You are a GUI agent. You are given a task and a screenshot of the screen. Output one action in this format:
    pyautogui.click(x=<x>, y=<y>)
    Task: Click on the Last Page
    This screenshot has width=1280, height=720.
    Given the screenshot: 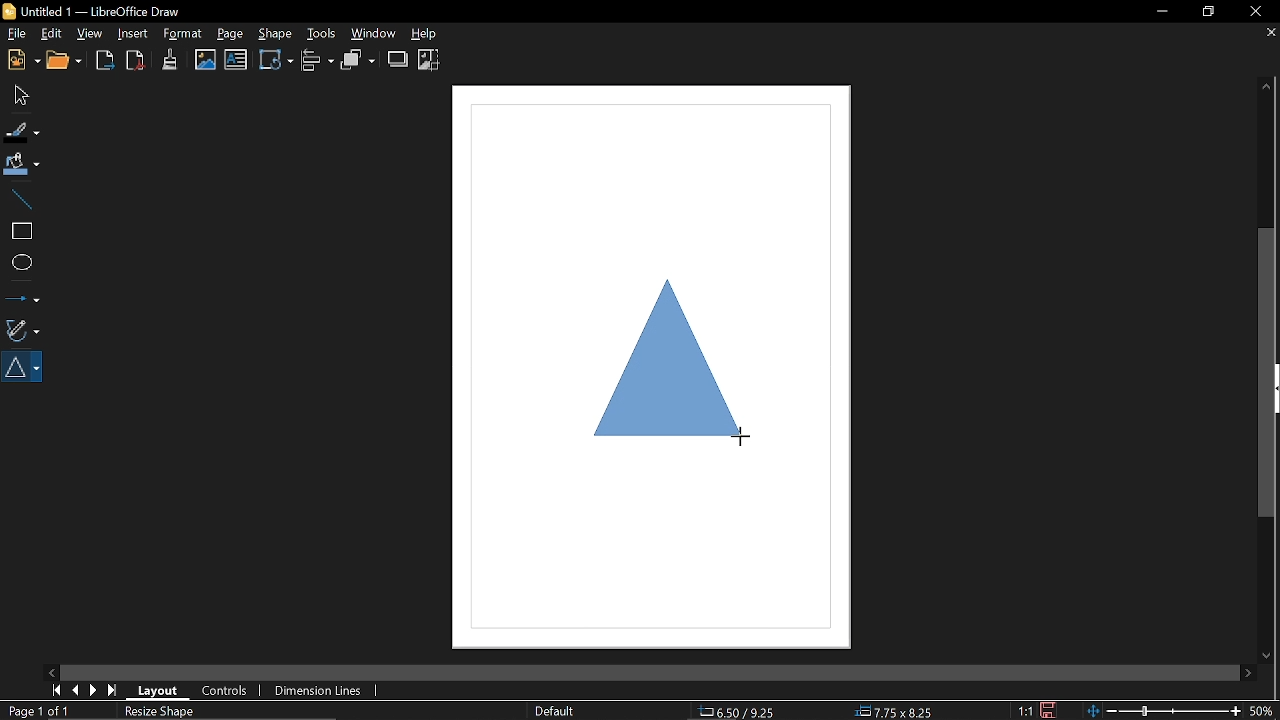 What is the action you would take?
    pyautogui.click(x=113, y=691)
    